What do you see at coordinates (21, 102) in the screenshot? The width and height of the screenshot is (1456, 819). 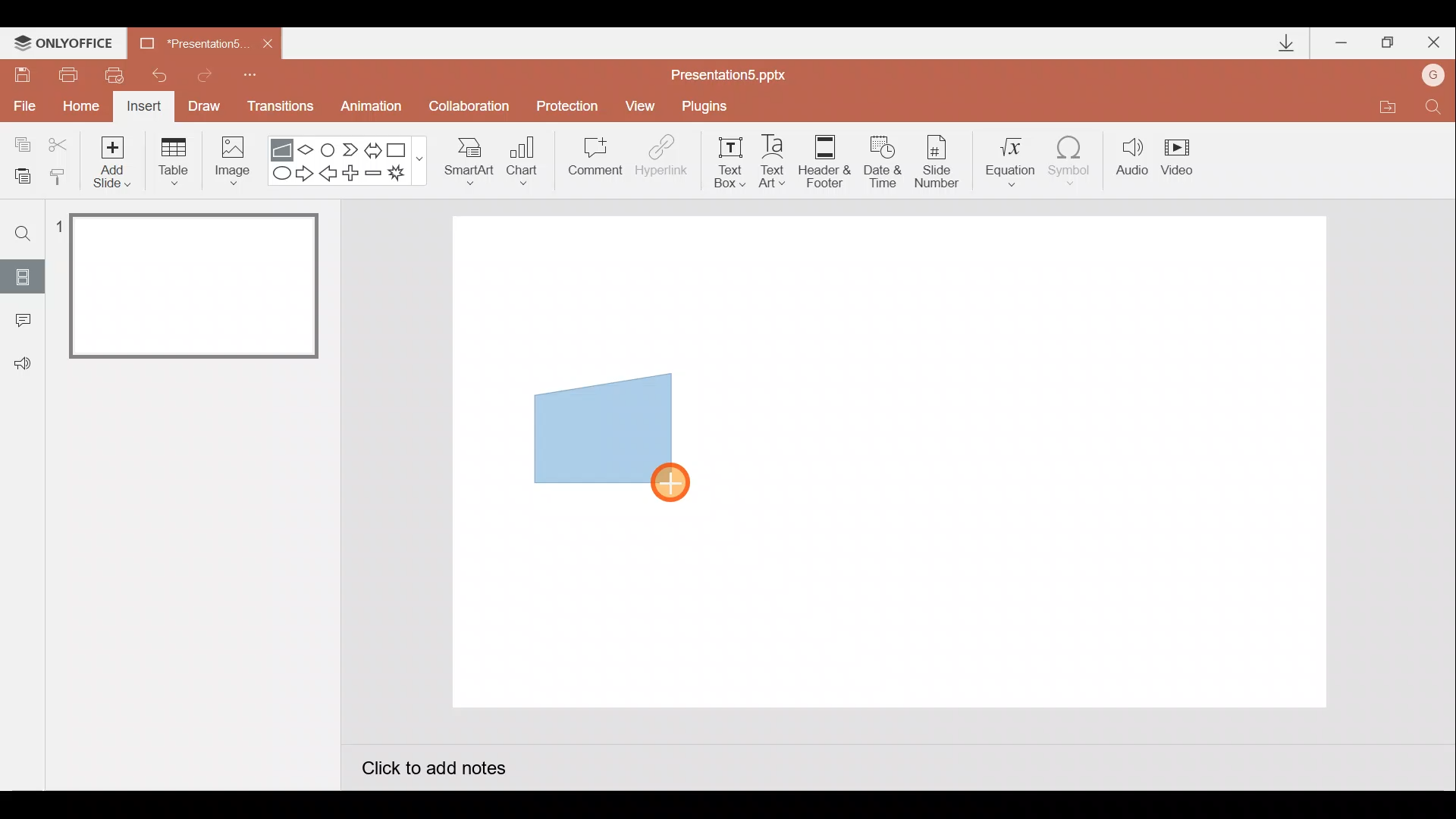 I see `File` at bounding box center [21, 102].